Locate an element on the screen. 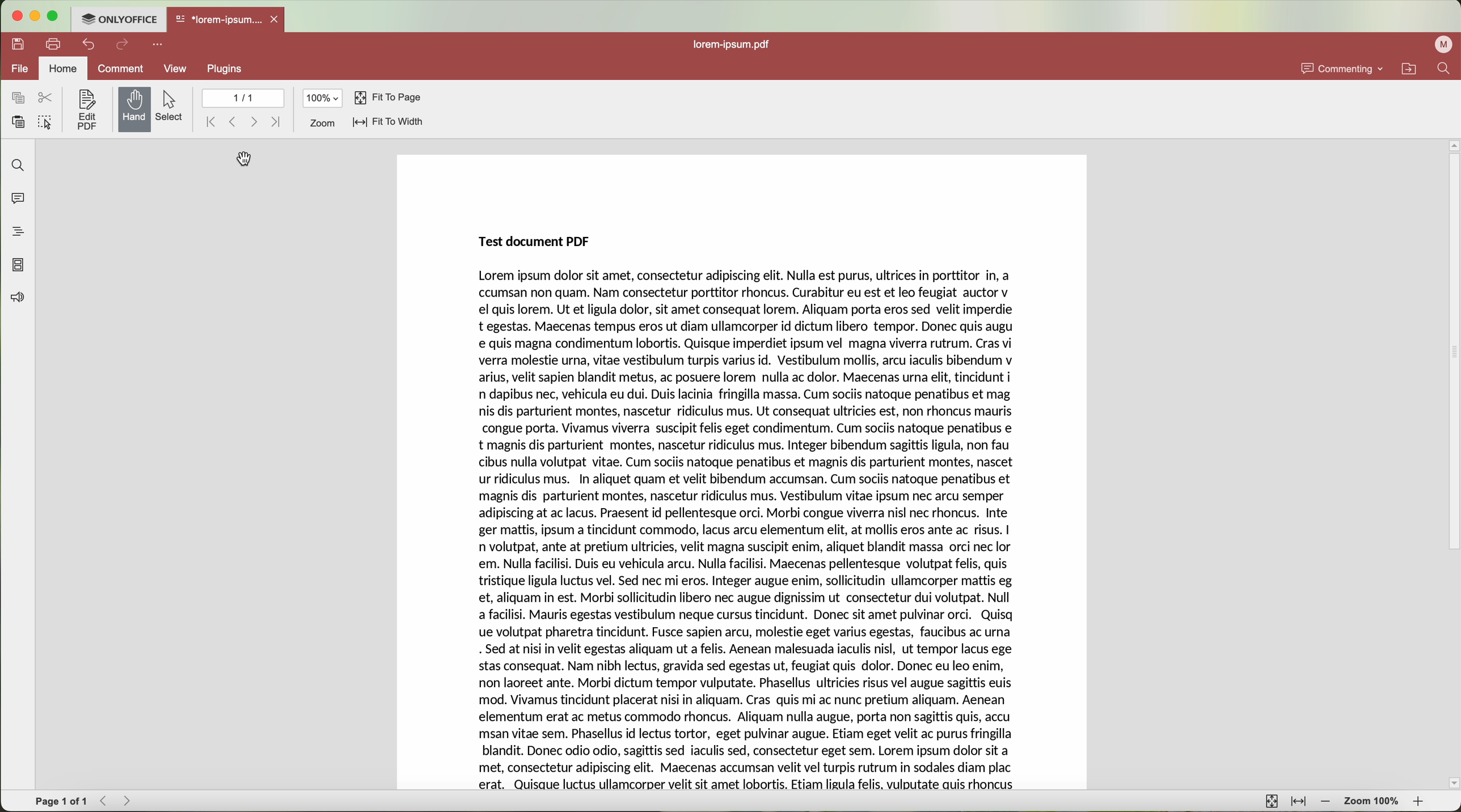 Image resolution: width=1461 pixels, height=812 pixels. headings is located at coordinates (18, 232).